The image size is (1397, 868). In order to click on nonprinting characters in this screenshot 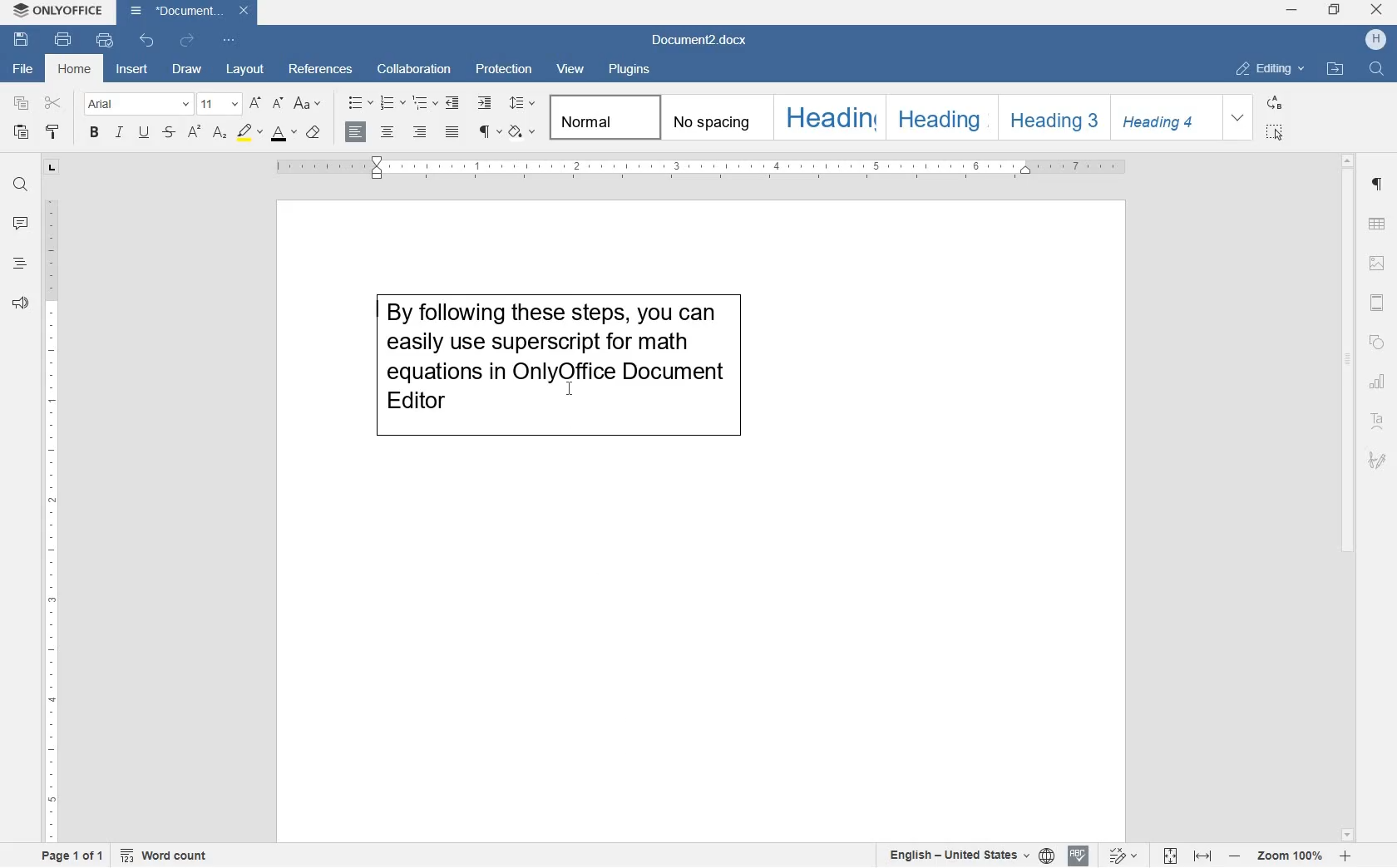, I will do `click(489, 131)`.